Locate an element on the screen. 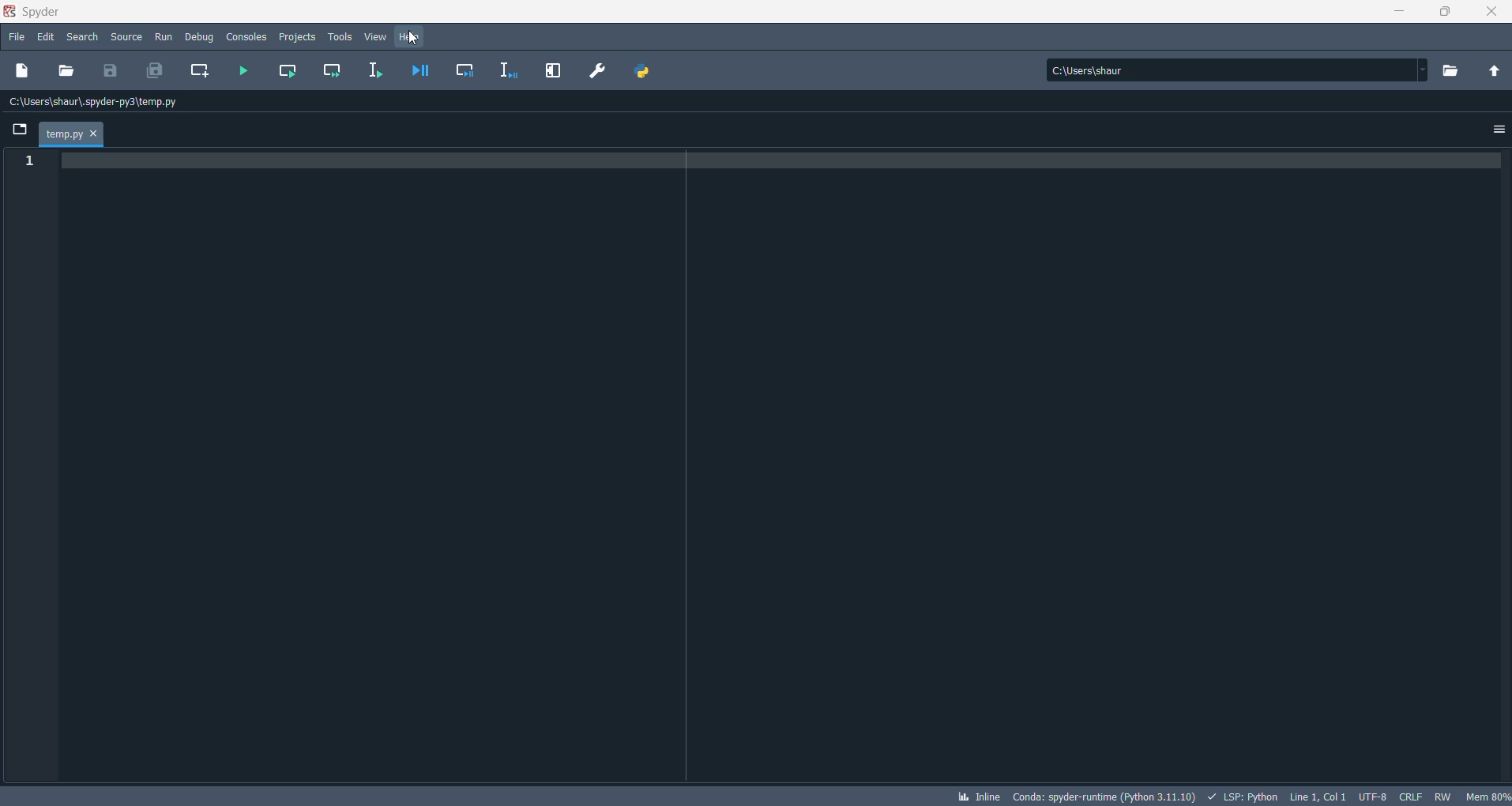 The width and height of the screenshot is (1512, 806). line numbers is located at coordinates (26, 162).